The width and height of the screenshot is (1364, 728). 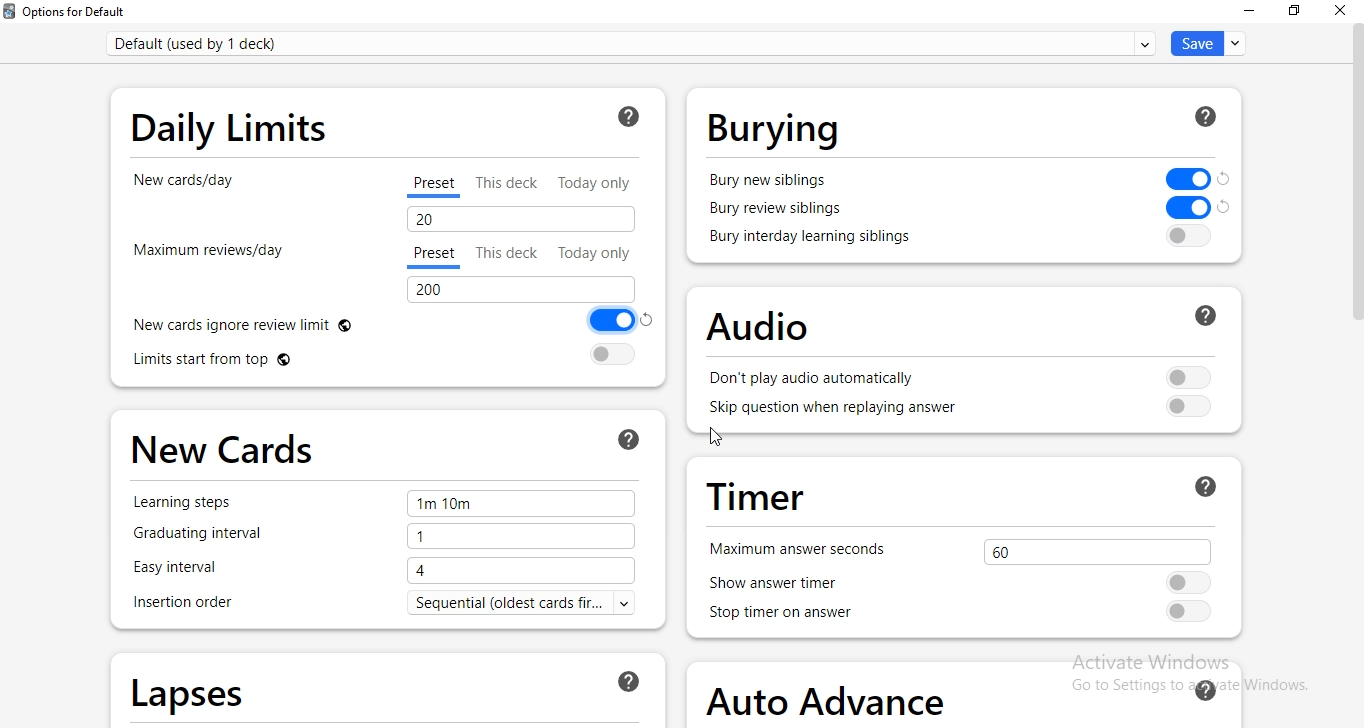 I want to click on cursor, so click(x=719, y=437).